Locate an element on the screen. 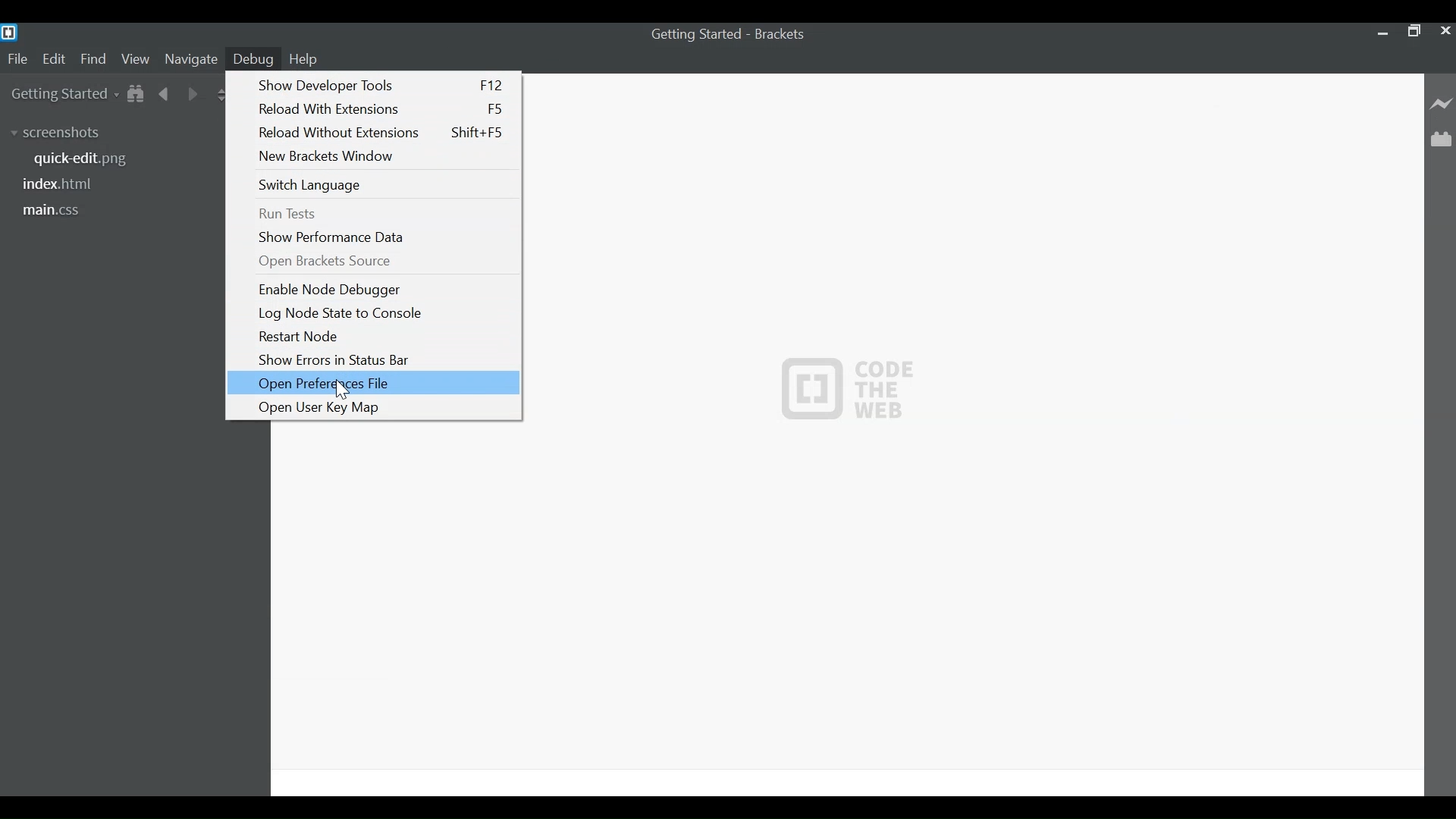  Reload Without Extensions is located at coordinates (379, 133).